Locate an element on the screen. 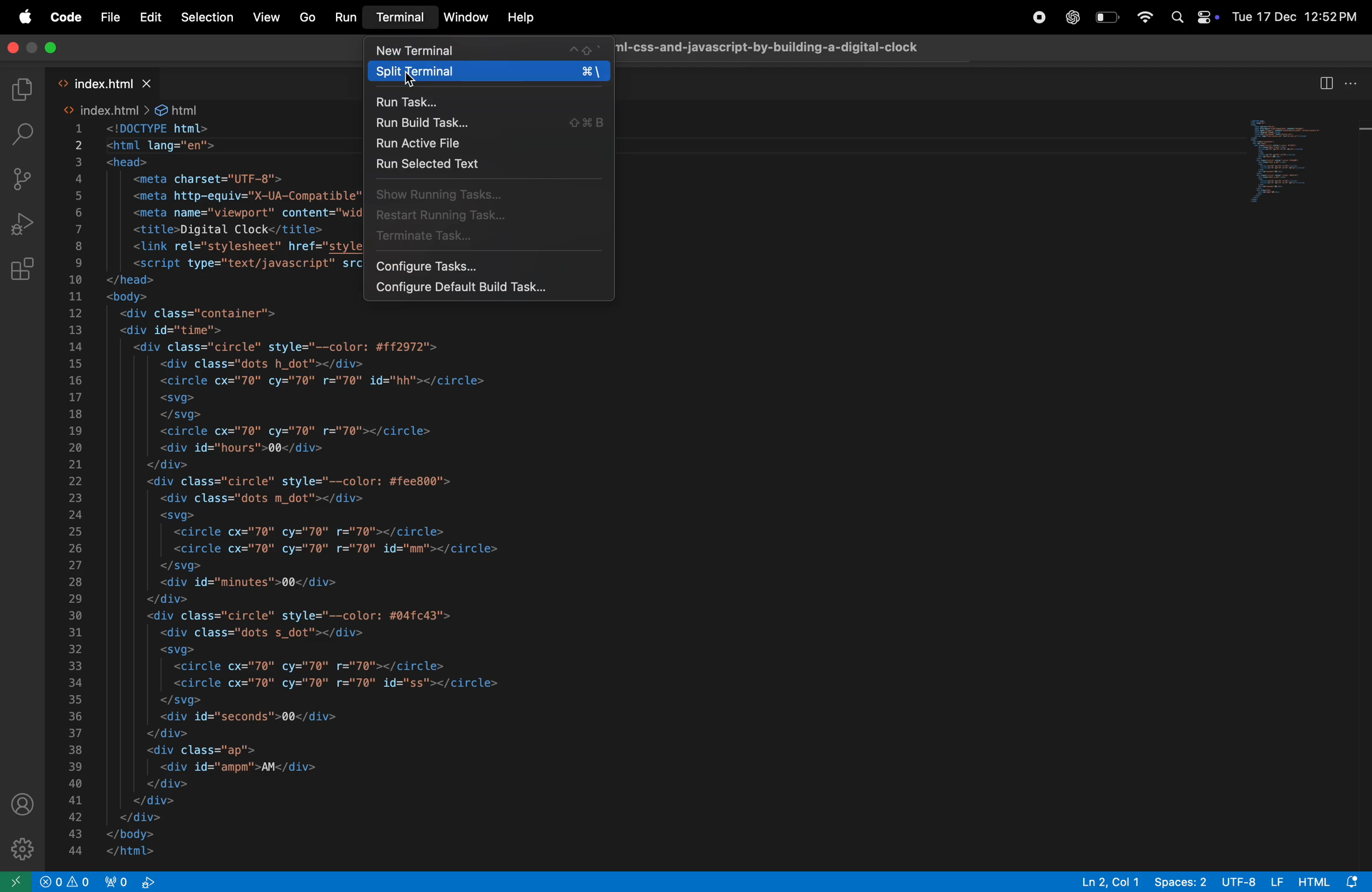  Run is located at coordinates (346, 17).